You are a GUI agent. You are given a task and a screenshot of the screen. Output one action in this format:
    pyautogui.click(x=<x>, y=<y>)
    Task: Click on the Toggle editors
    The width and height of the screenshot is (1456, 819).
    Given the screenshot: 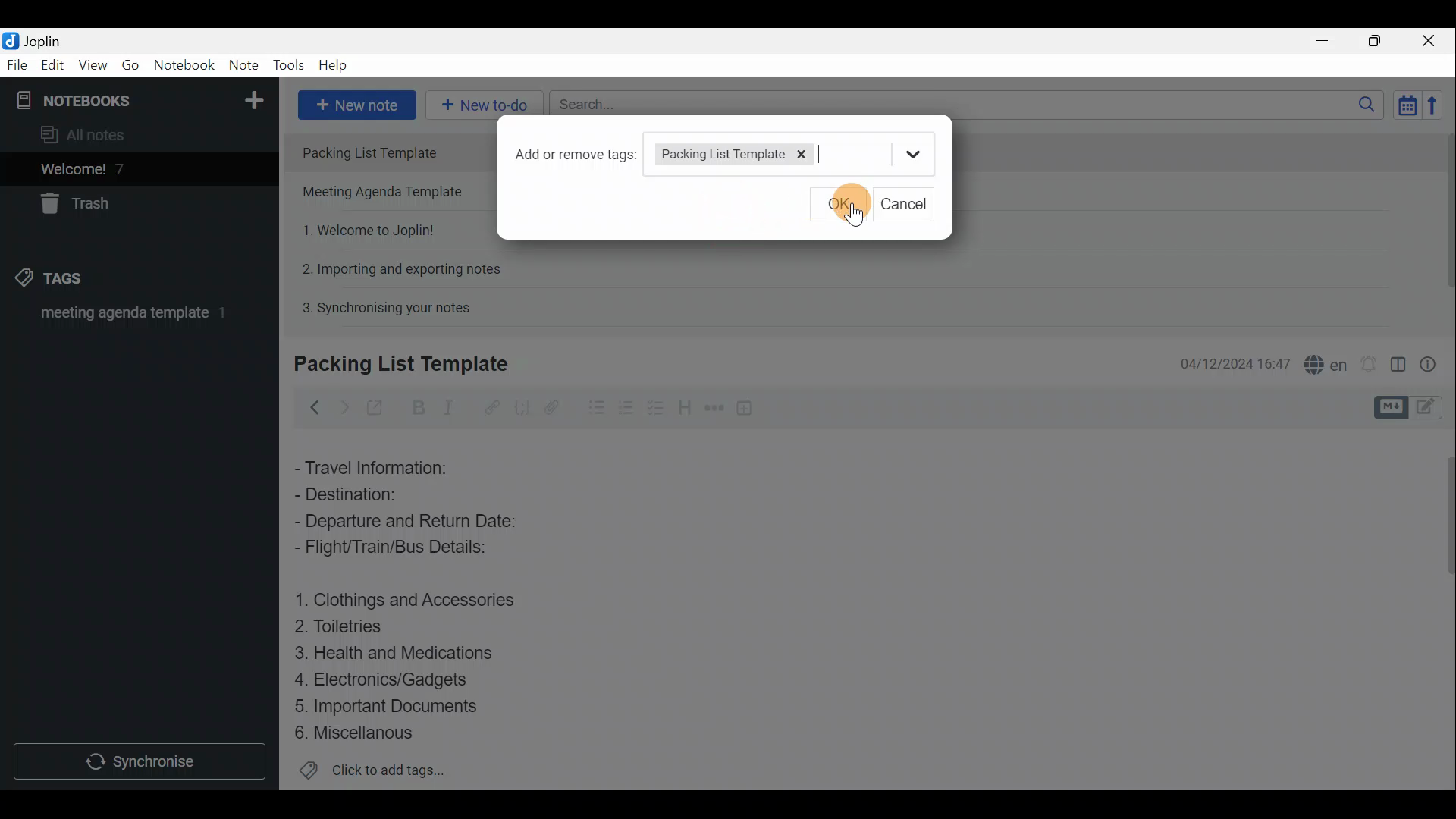 What is the action you would take?
    pyautogui.click(x=1393, y=406)
    